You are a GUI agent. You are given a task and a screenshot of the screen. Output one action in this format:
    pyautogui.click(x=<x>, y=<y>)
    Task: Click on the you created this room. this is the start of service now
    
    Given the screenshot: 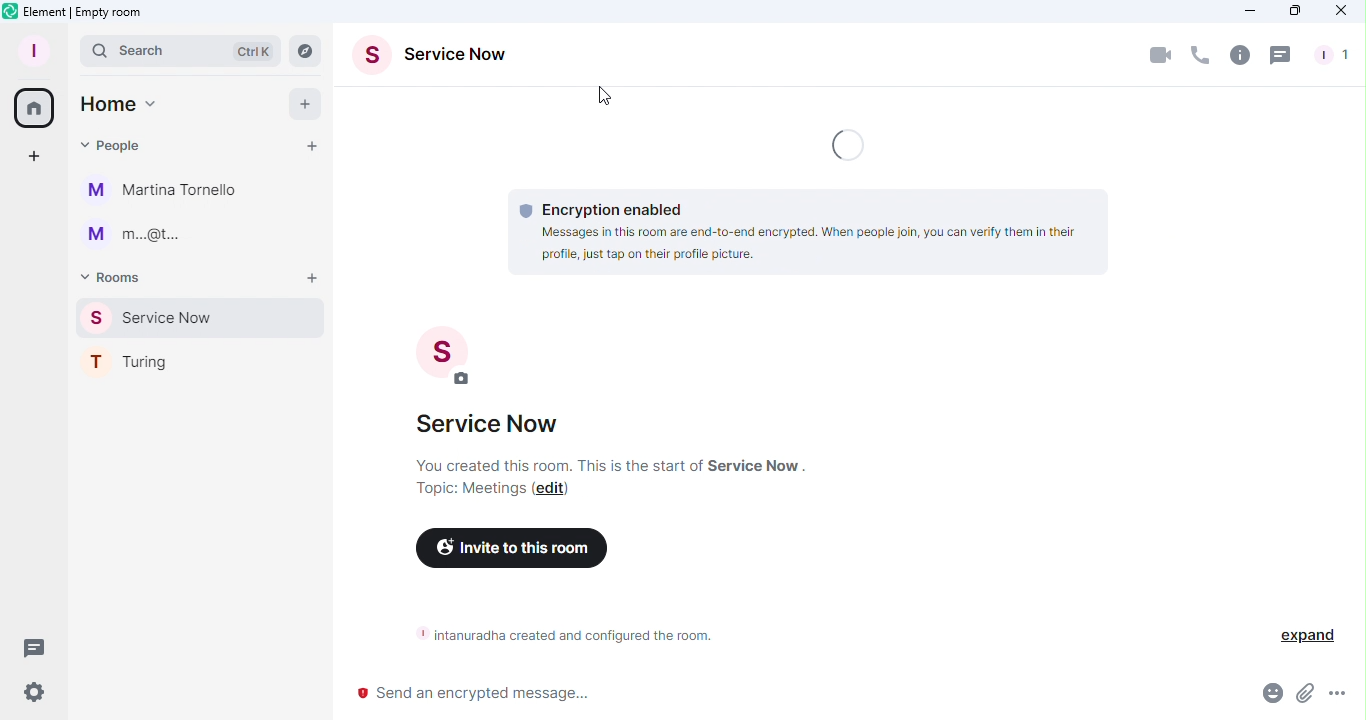 What is the action you would take?
    pyautogui.click(x=596, y=464)
    